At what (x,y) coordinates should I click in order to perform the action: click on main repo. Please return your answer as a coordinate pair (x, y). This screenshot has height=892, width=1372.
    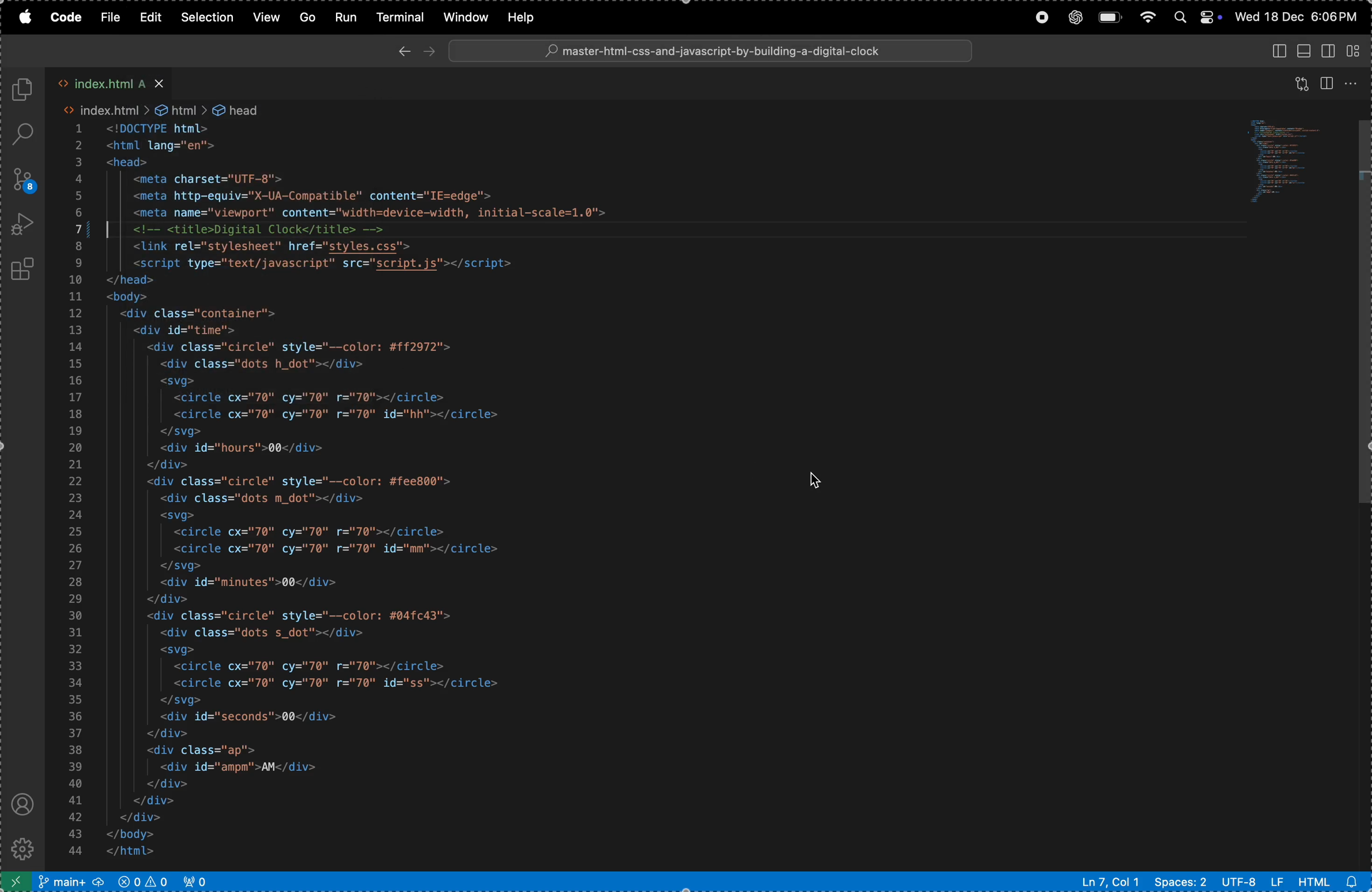
    Looking at the image, I should click on (70, 882).